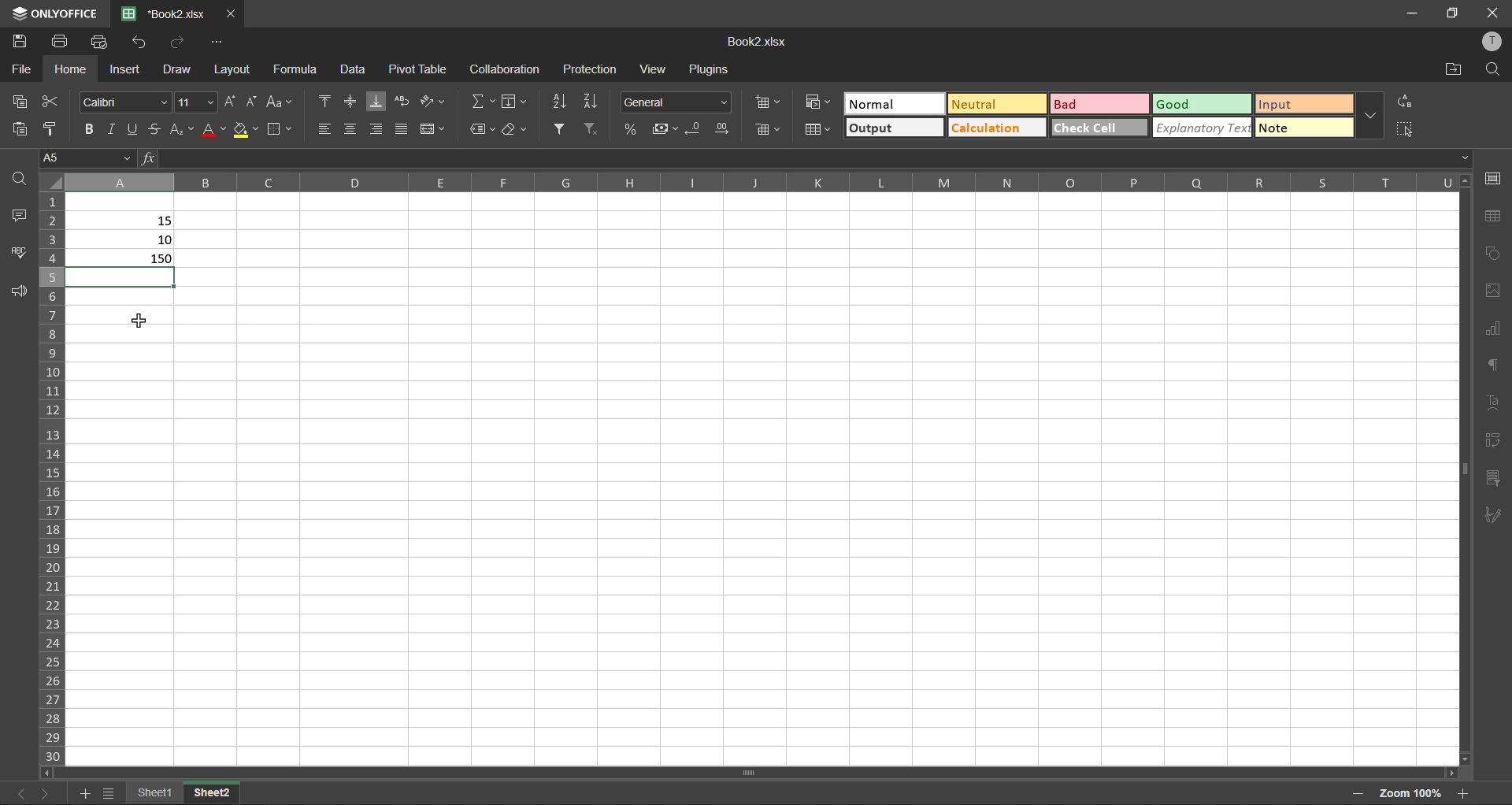 Image resolution: width=1512 pixels, height=805 pixels. What do you see at coordinates (1495, 46) in the screenshot?
I see `profile` at bounding box center [1495, 46].